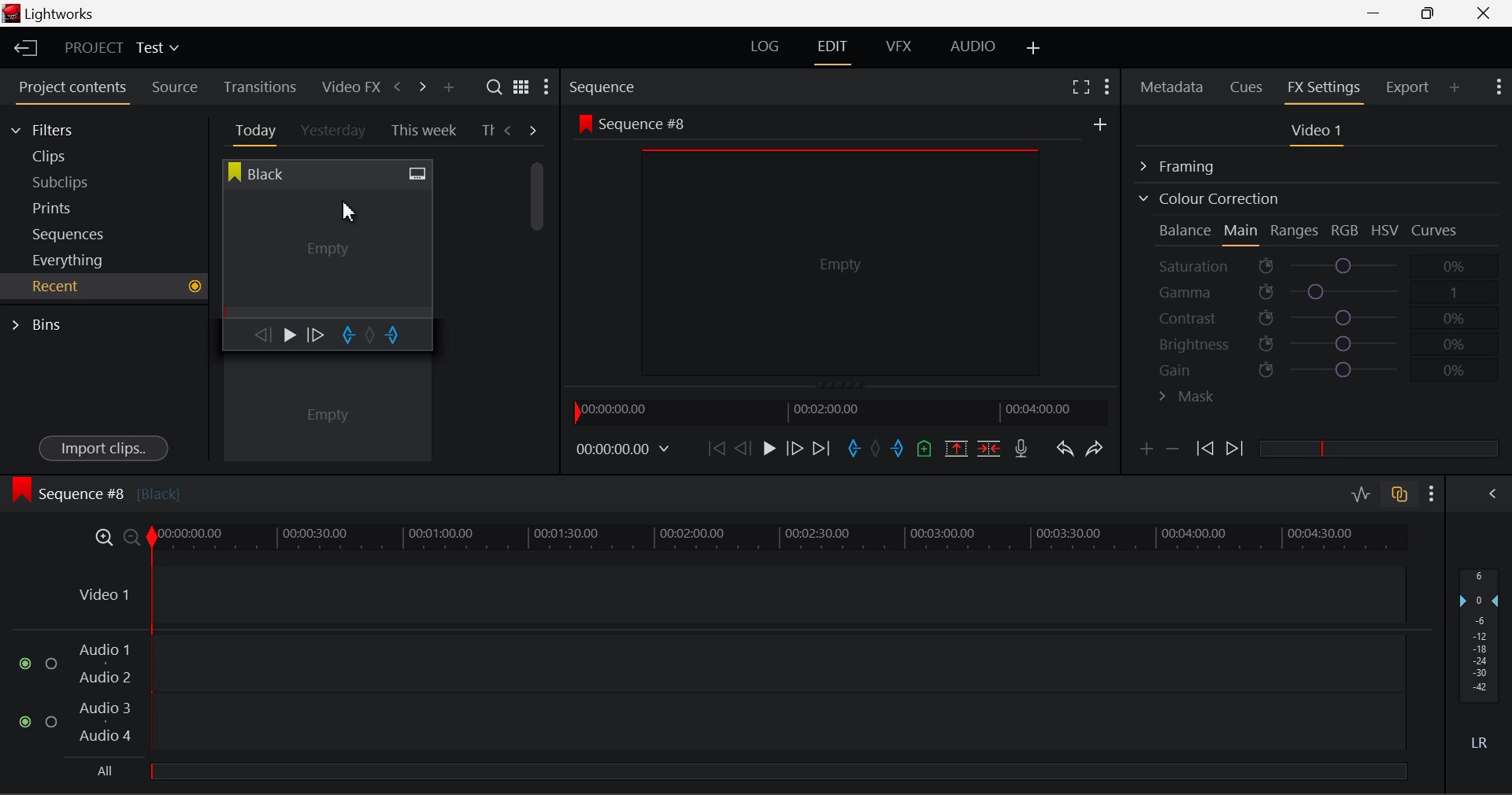  I want to click on Show Settings, so click(545, 91).